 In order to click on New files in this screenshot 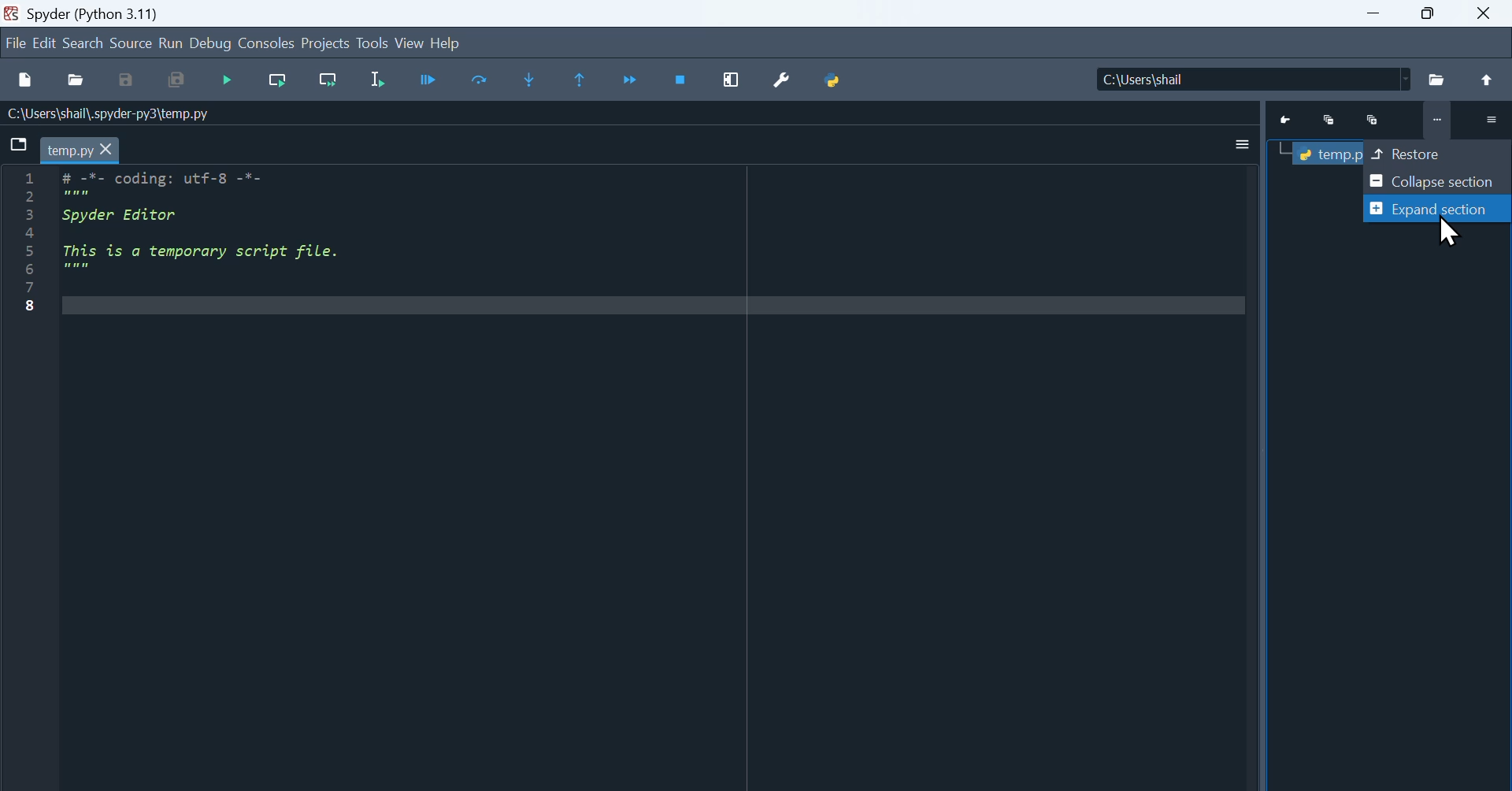, I will do `click(24, 80)`.